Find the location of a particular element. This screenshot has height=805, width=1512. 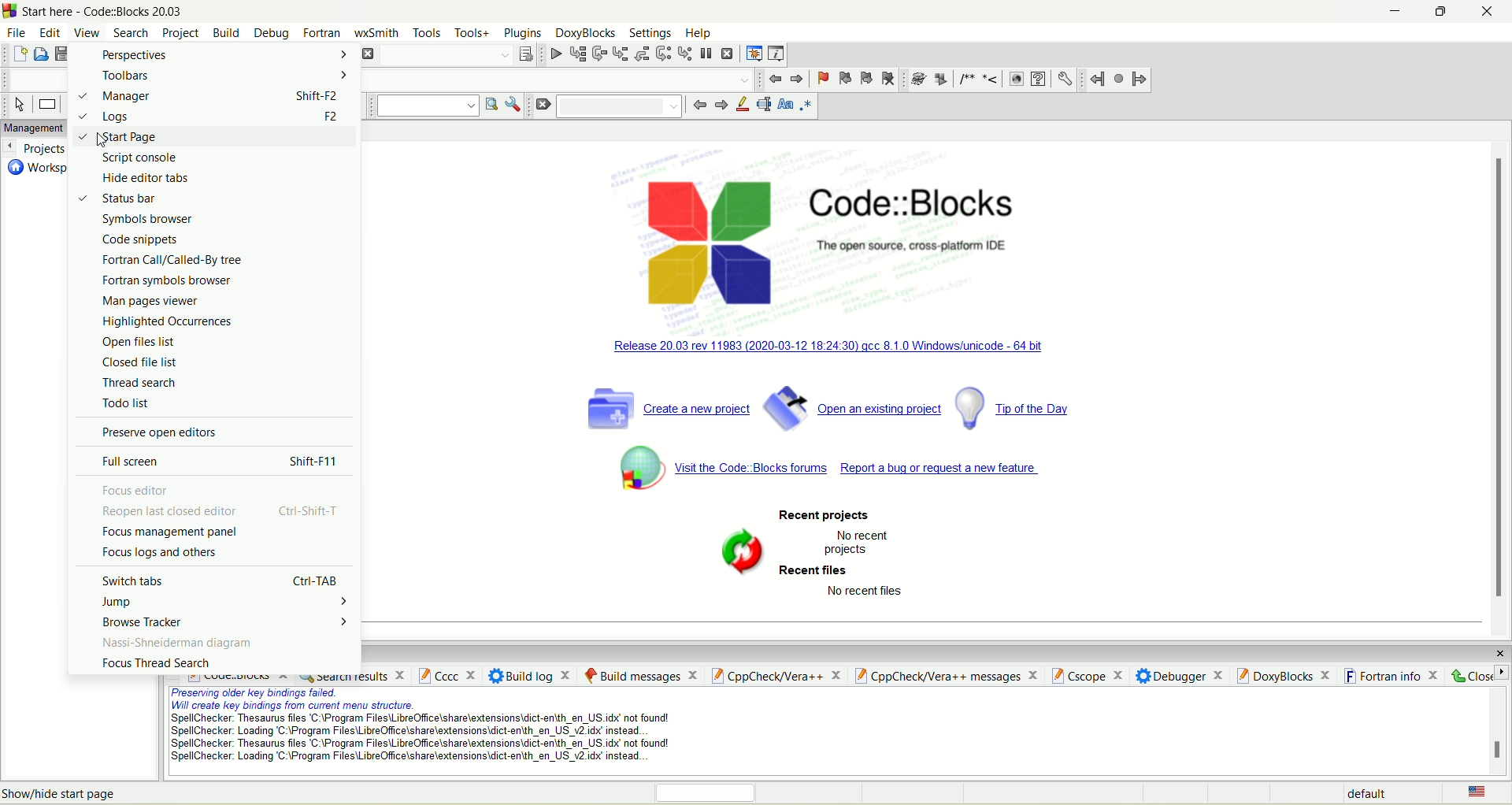

fortan info is located at coordinates (1392, 673).